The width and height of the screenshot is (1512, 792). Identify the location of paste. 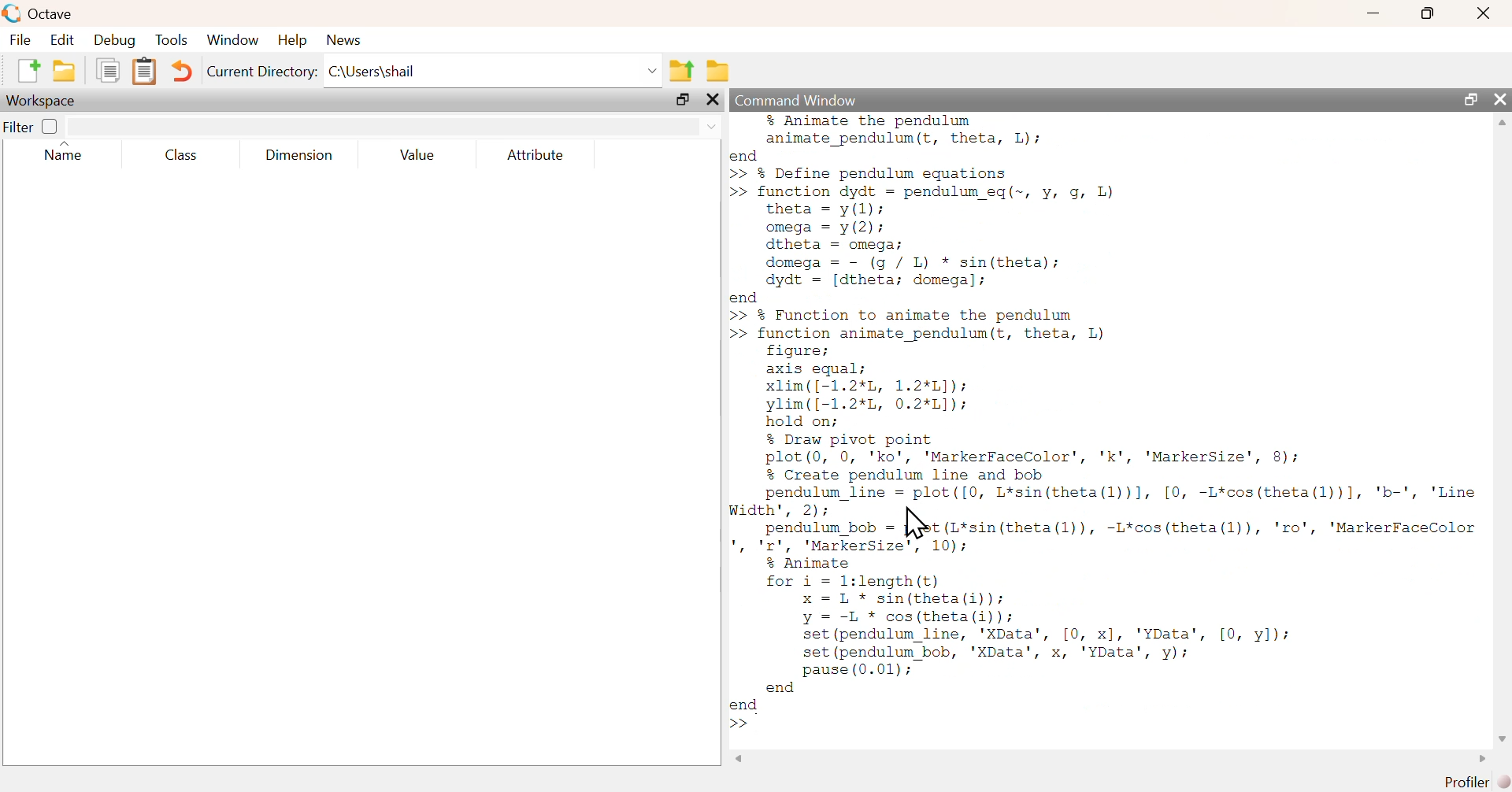
(146, 72).